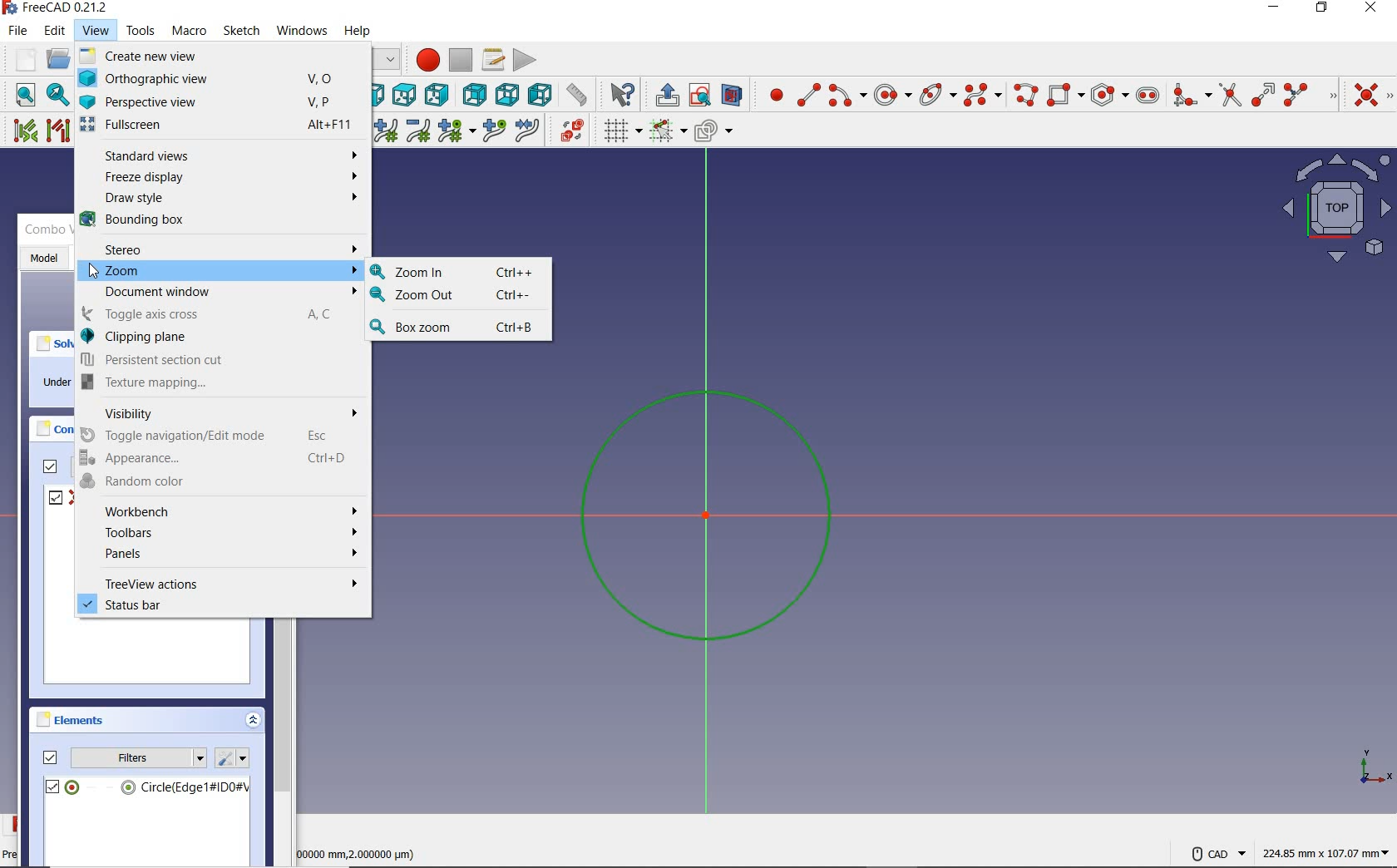 Image resolution: width=1397 pixels, height=868 pixels. What do you see at coordinates (1329, 209) in the screenshot?
I see `map` at bounding box center [1329, 209].